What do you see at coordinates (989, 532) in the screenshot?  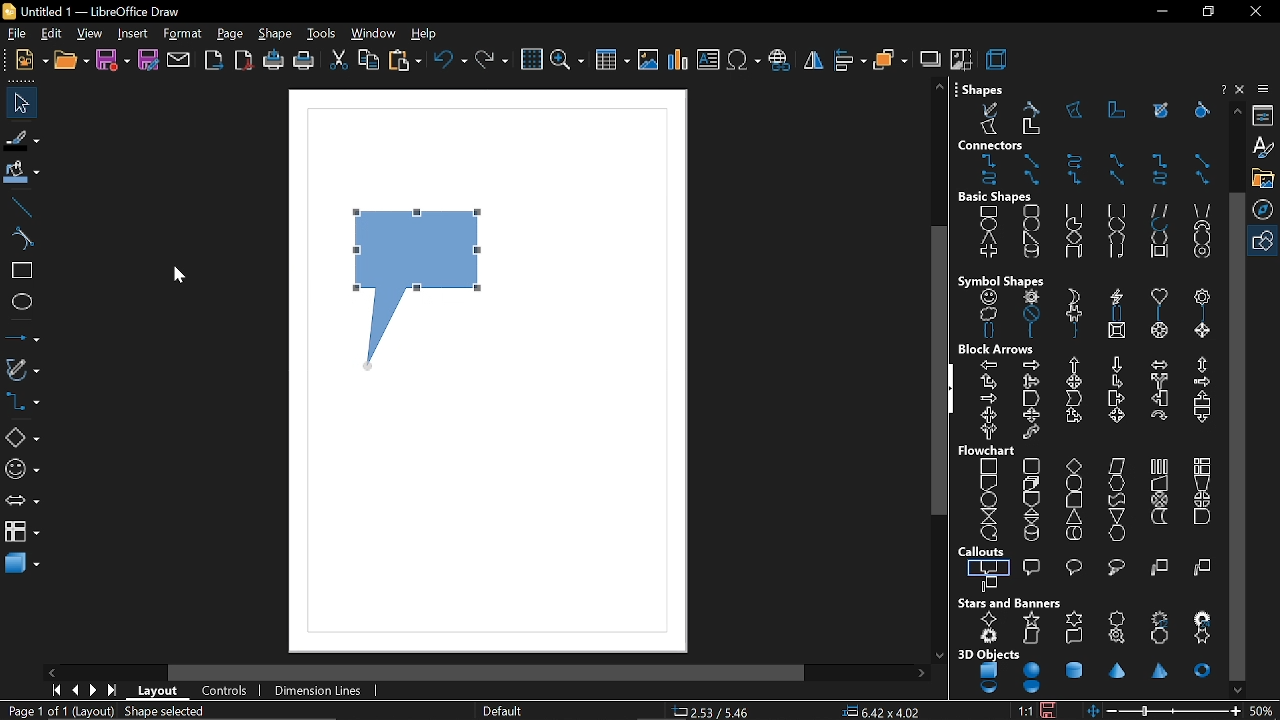 I see `sequential access` at bounding box center [989, 532].